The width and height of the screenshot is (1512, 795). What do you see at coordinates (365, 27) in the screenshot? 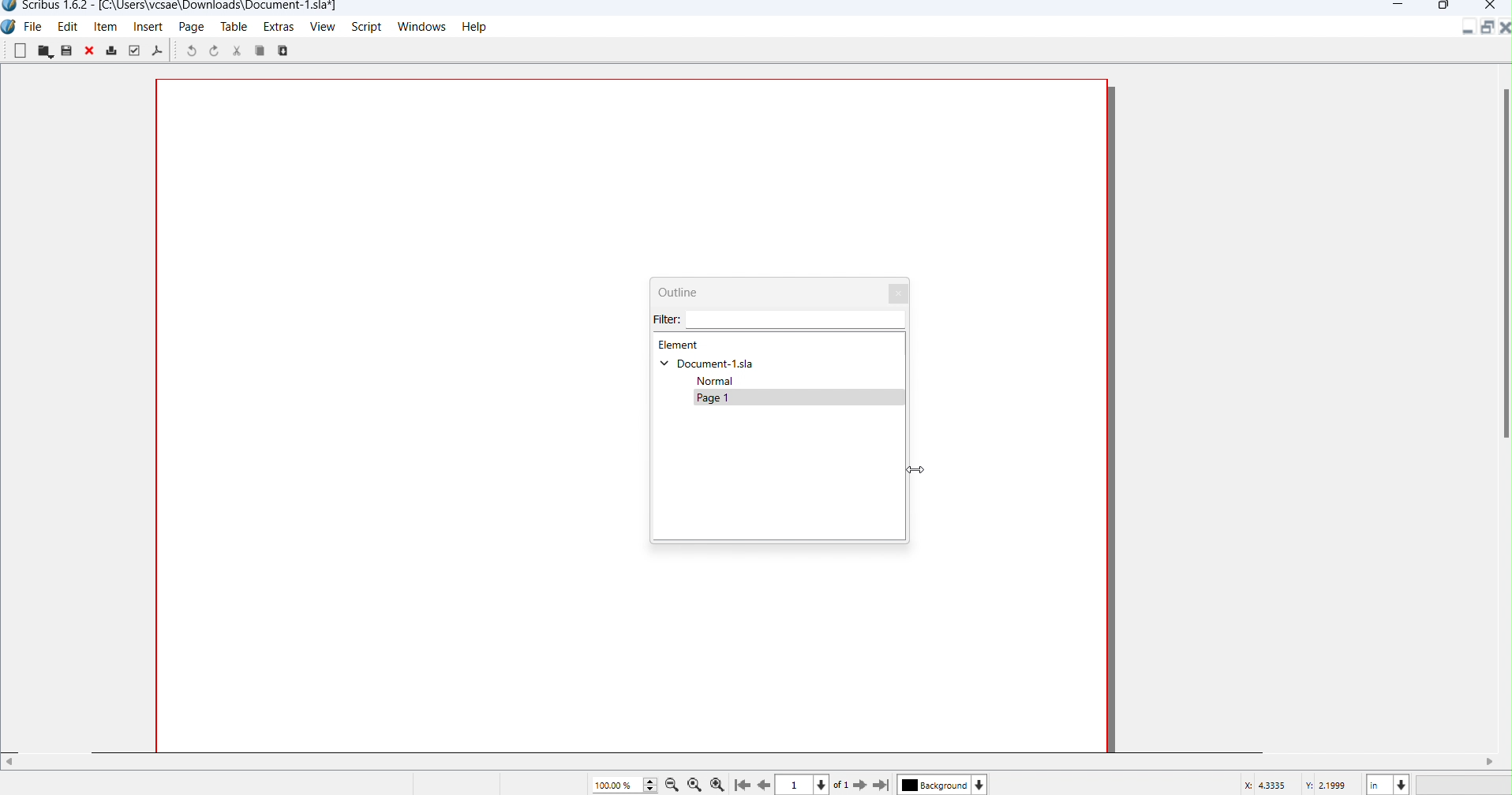
I see `script` at bounding box center [365, 27].